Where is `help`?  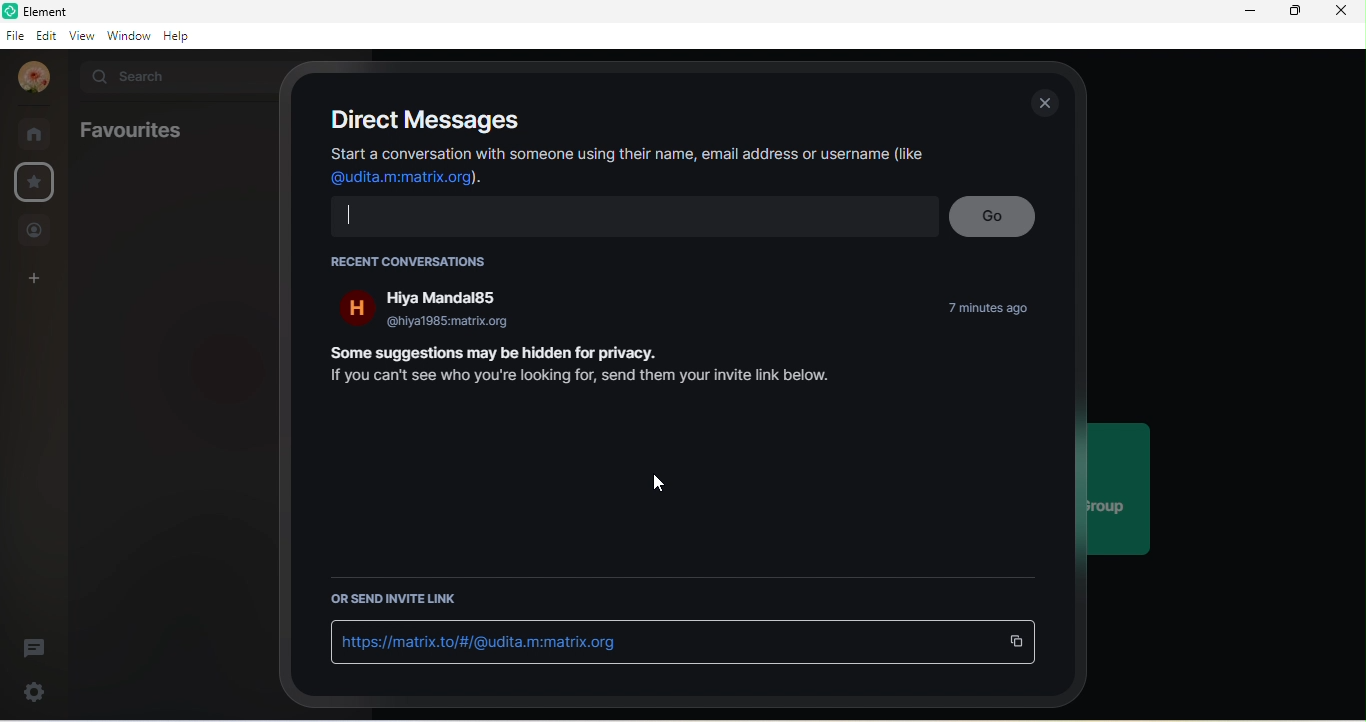 help is located at coordinates (183, 36).